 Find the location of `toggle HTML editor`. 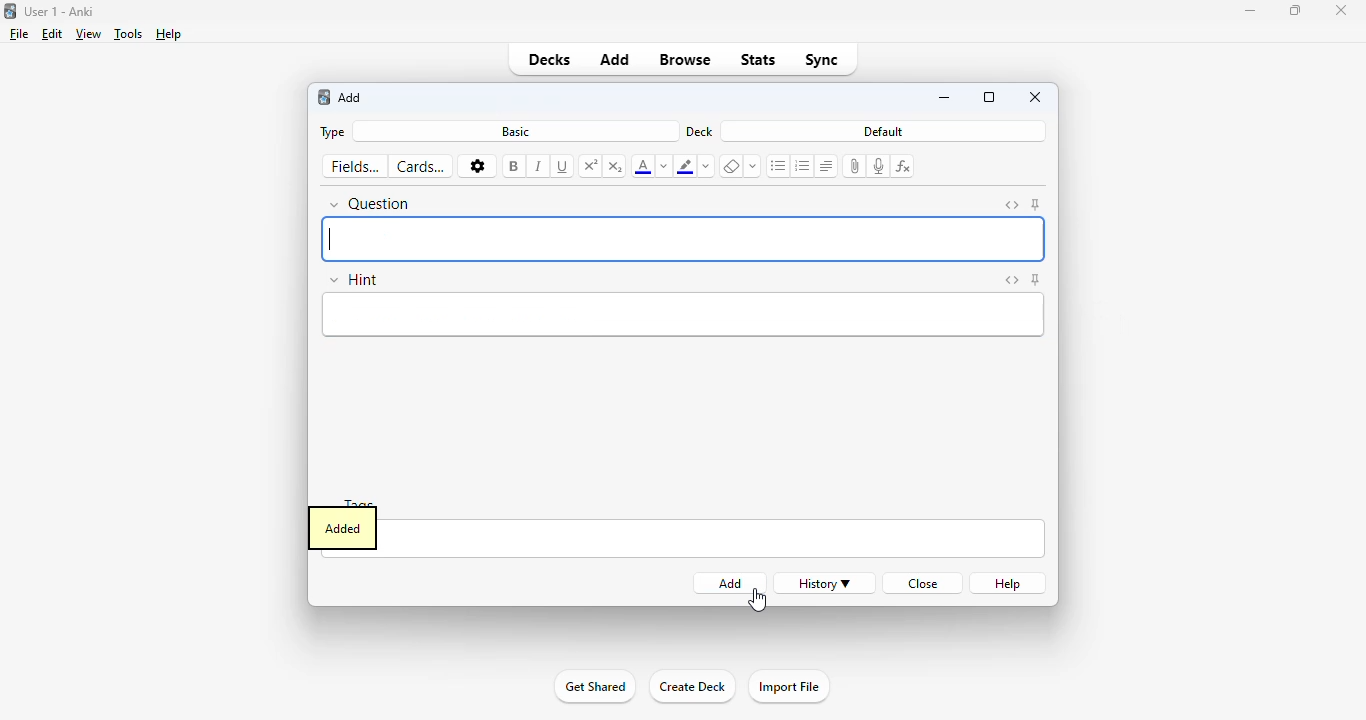

toggle HTML editor is located at coordinates (1013, 280).